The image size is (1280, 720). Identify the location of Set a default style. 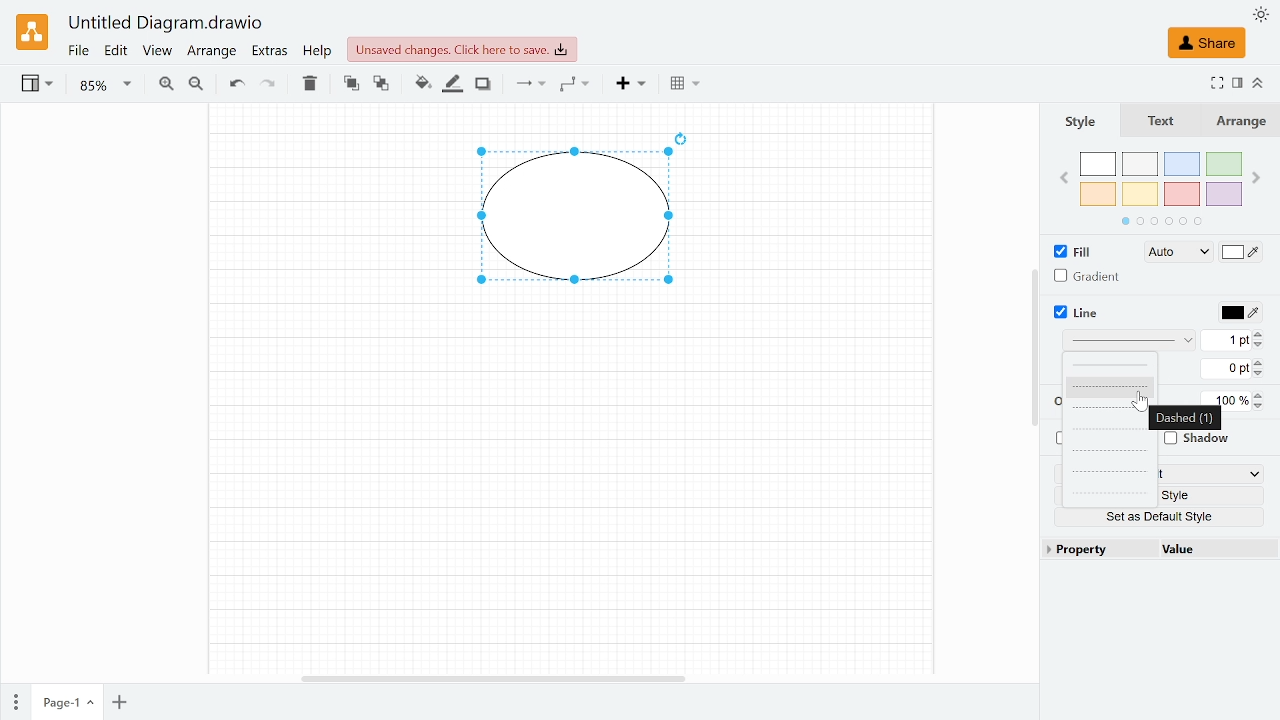
(1163, 516).